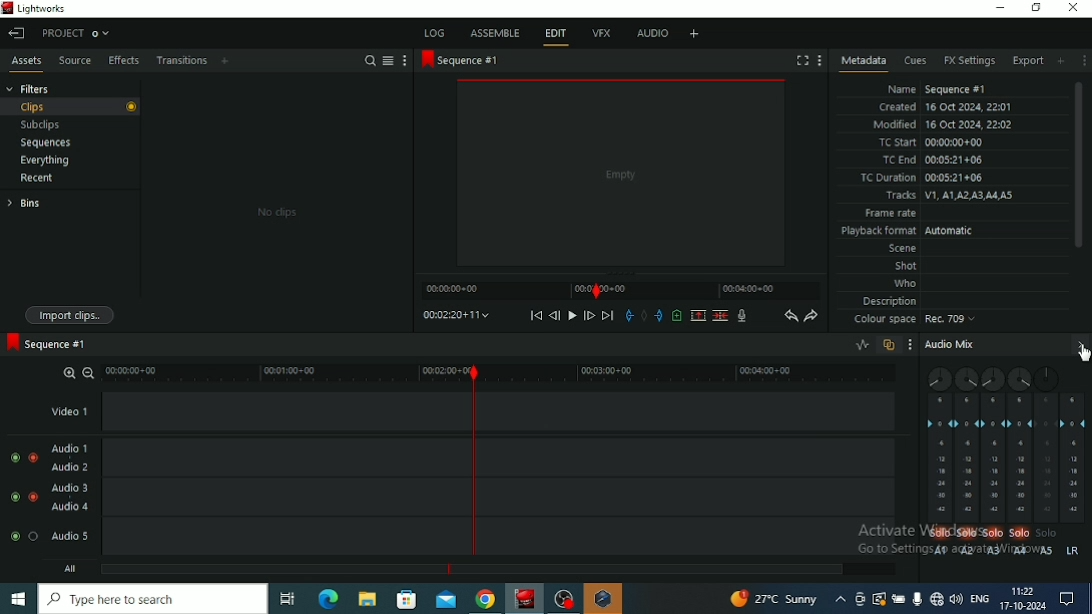  I want to click on File Explorer, so click(365, 600).